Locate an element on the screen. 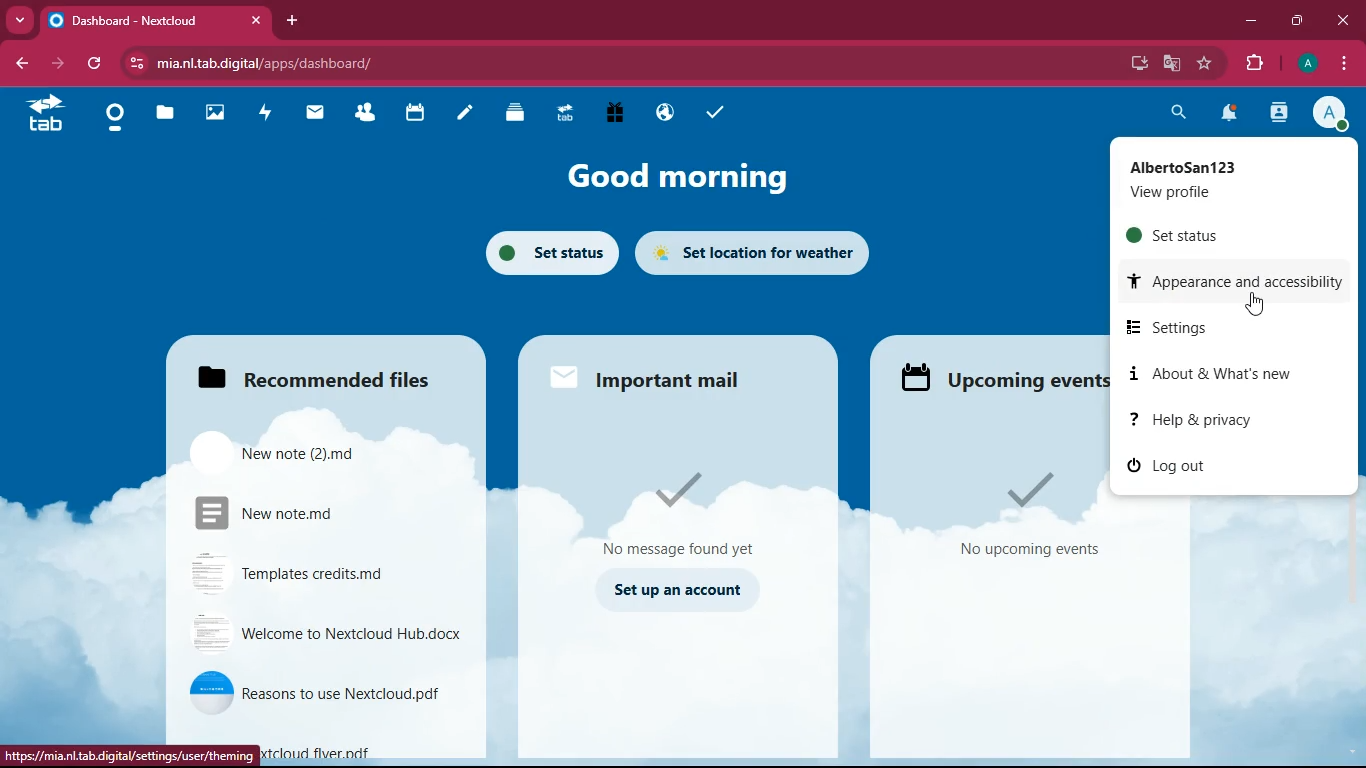  desktop is located at coordinates (1137, 65).